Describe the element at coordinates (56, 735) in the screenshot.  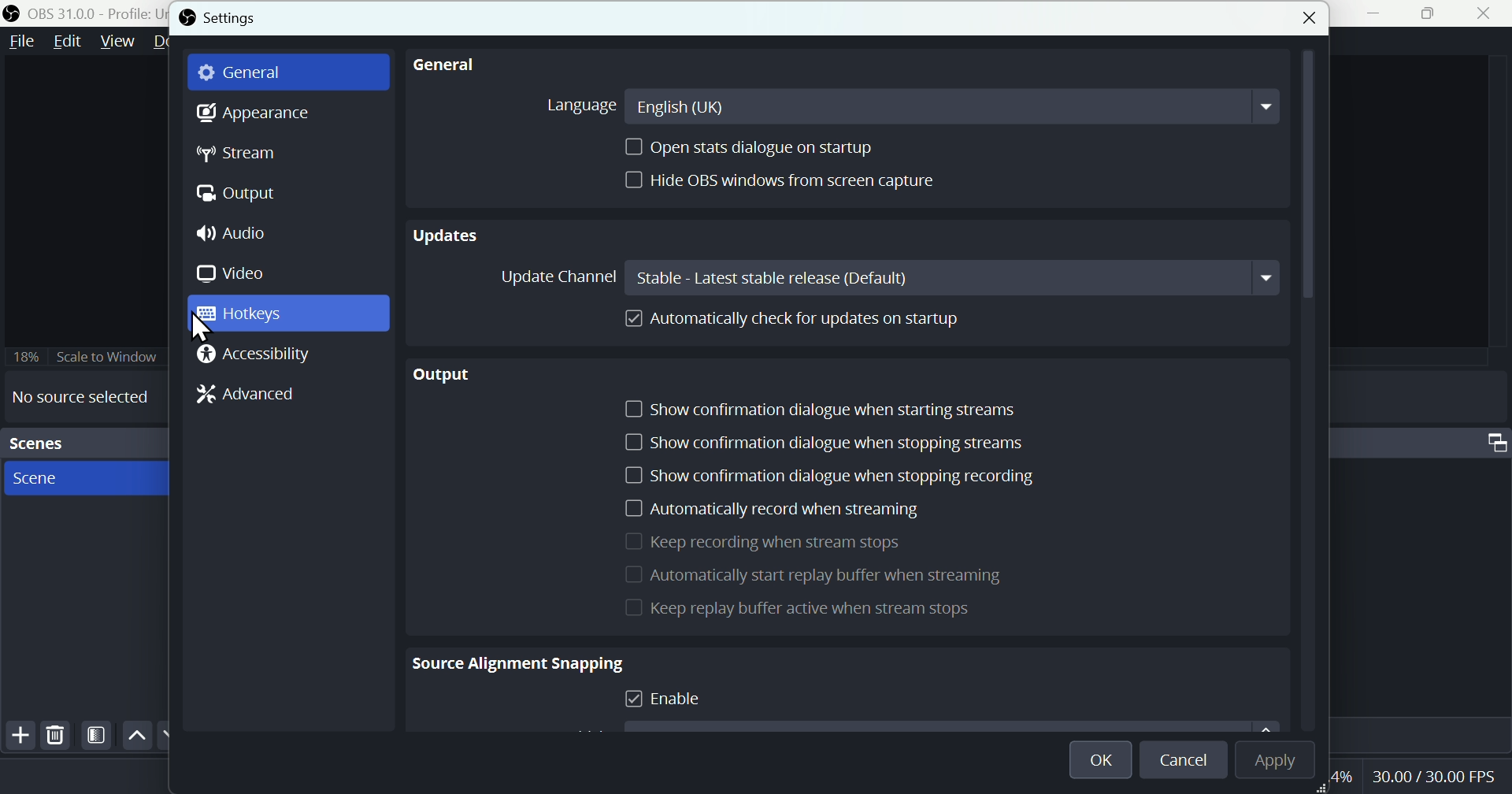
I see `Delete` at that location.